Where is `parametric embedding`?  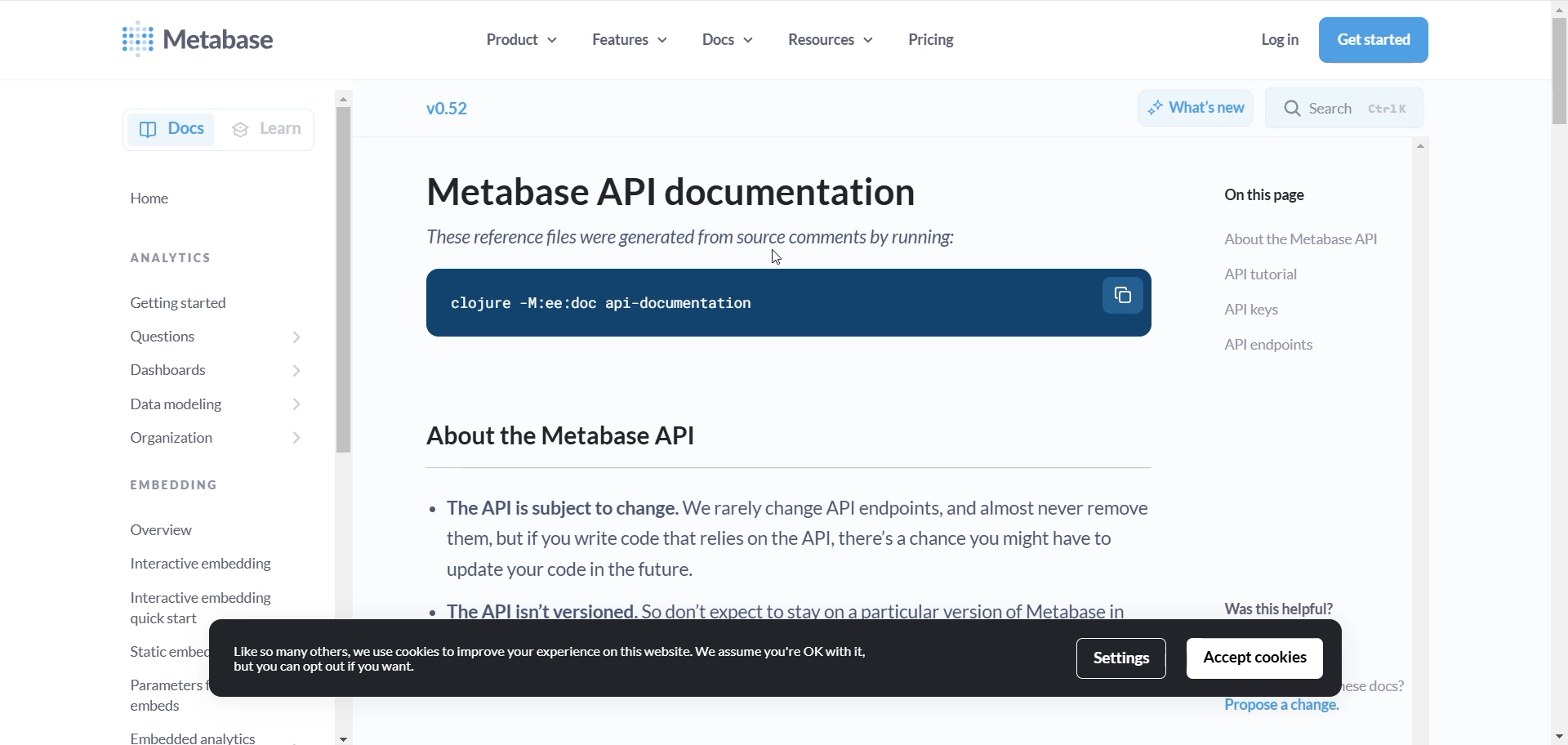 parametric embedding is located at coordinates (143, 690).